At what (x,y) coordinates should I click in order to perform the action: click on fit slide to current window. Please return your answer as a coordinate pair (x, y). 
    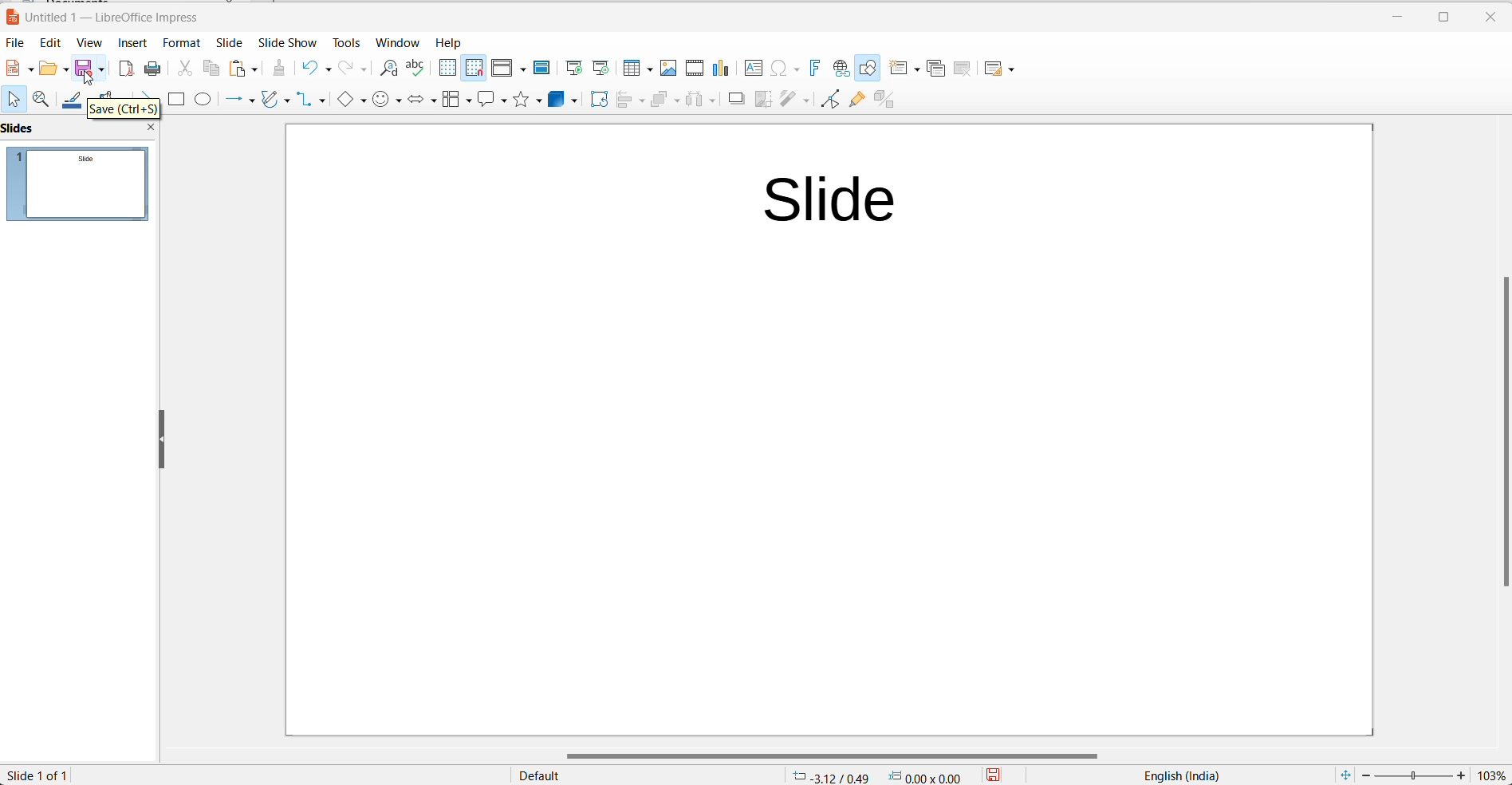
    Looking at the image, I should click on (1342, 775).